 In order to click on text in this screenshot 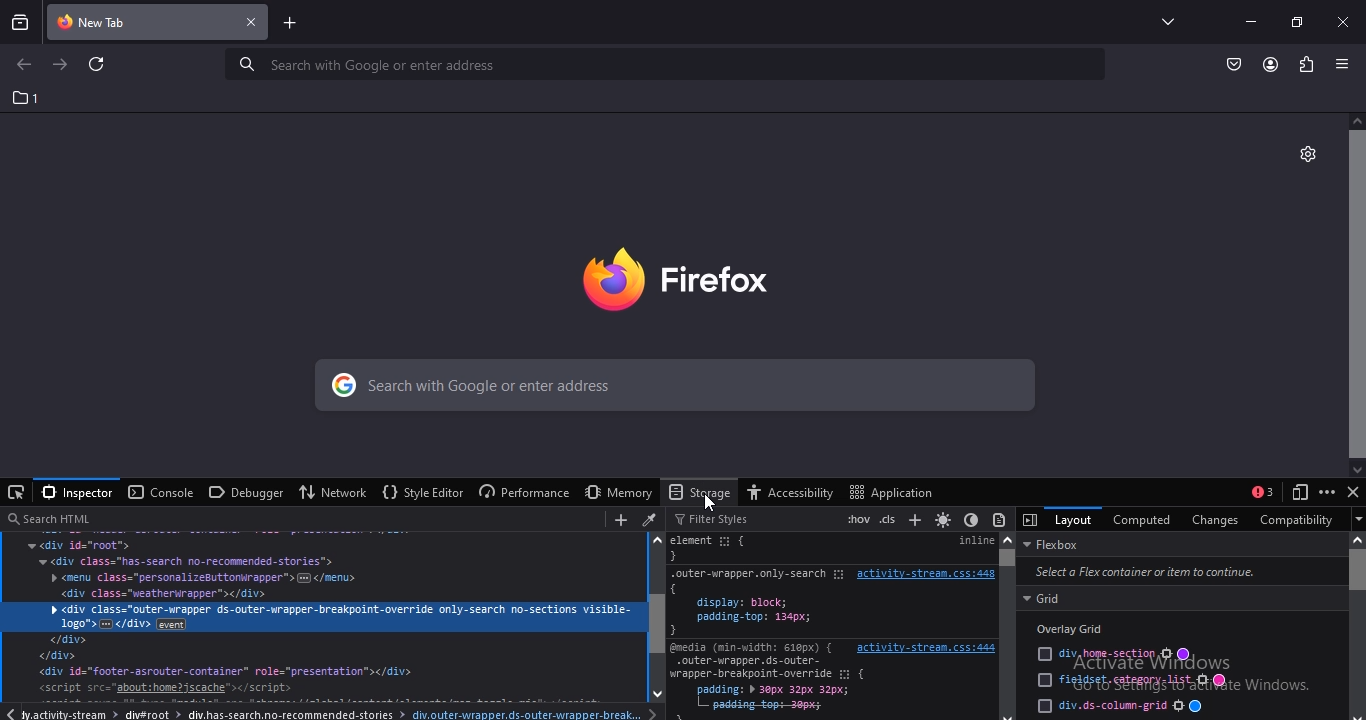, I will do `click(1178, 625)`.